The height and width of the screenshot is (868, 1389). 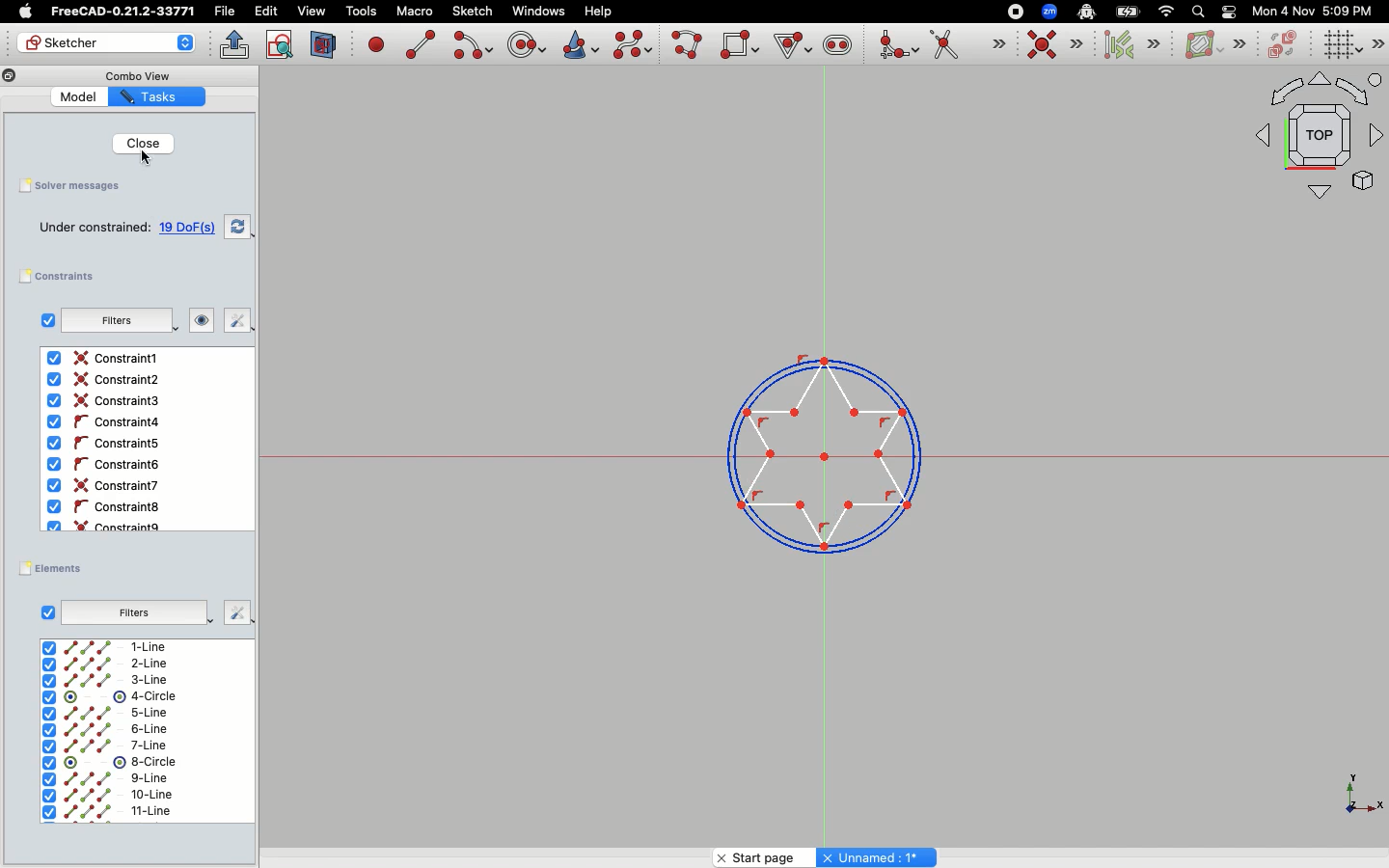 What do you see at coordinates (633, 44) in the screenshot?
I see `Create b-spline` at bounding box center [633, 44].